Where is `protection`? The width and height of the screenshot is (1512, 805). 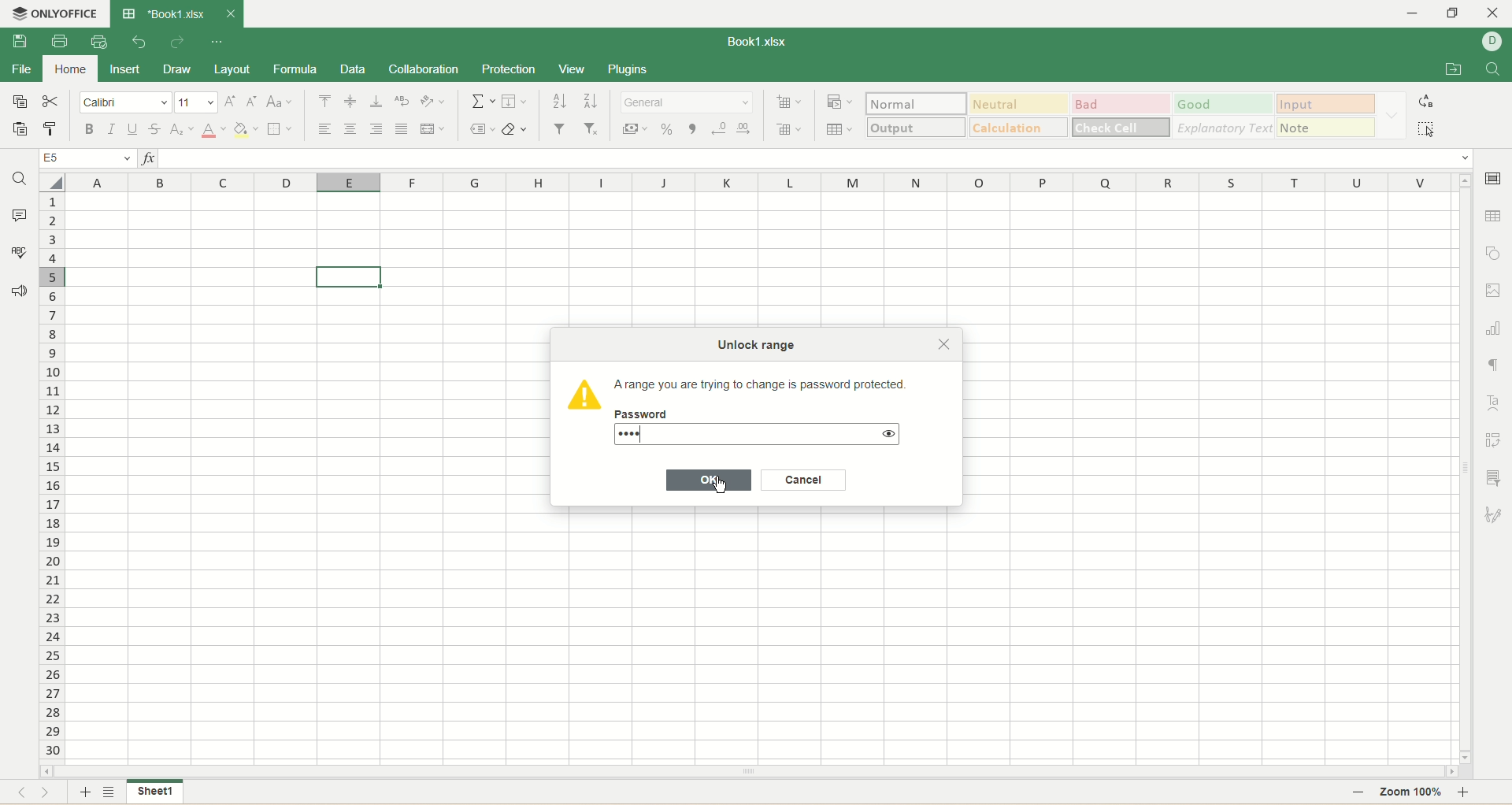 protection is located at coordinates (510, 70).